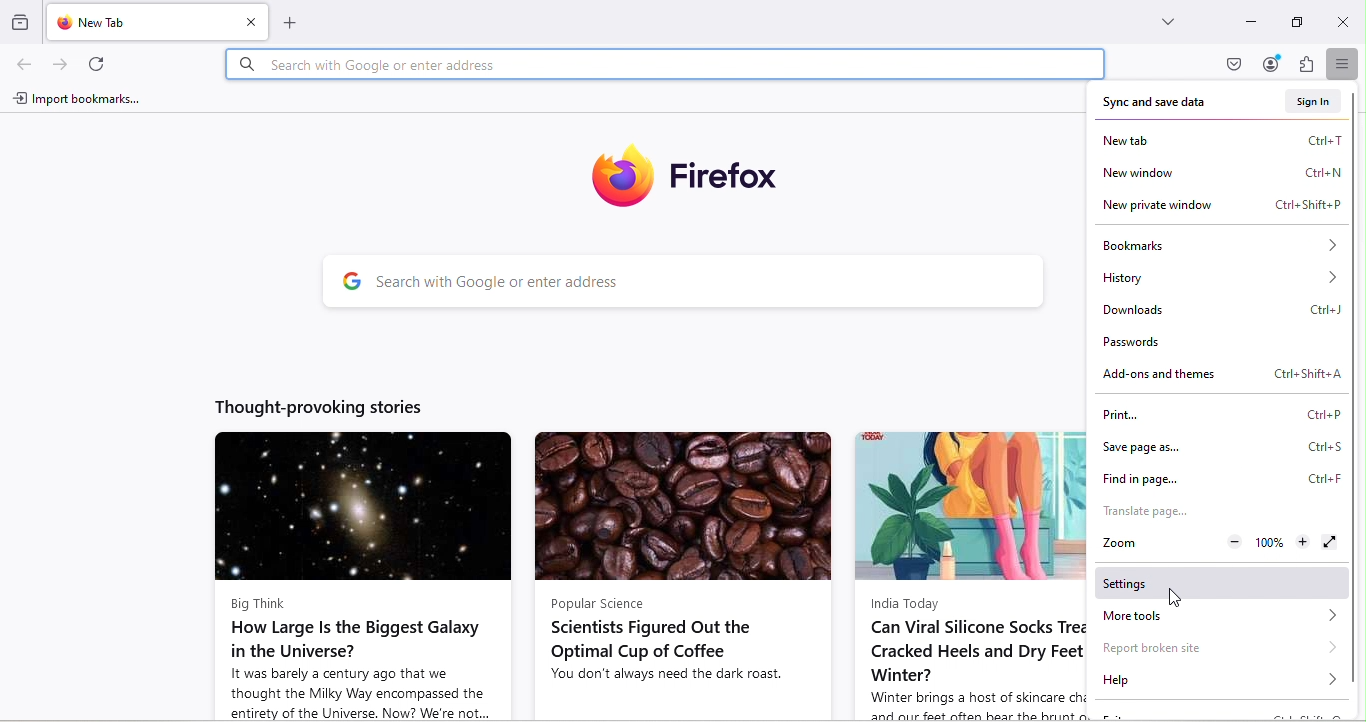 This screenshot has width=1366, height=722. Describe the element at coordinates (1311, 102) in the screenshot. I see `Sign in` at that location.